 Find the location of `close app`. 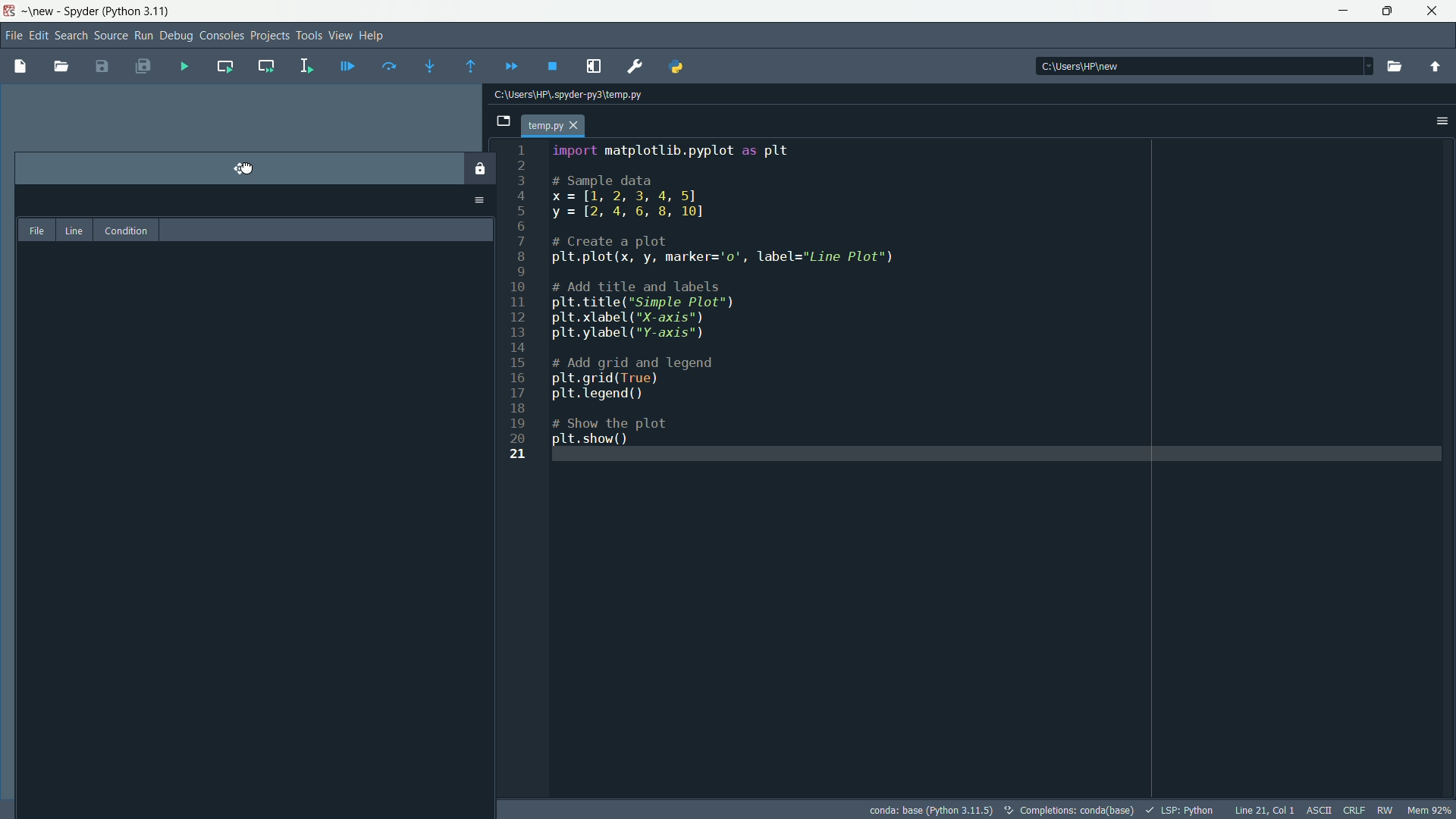

close app is located at coordinates (1388, 11).